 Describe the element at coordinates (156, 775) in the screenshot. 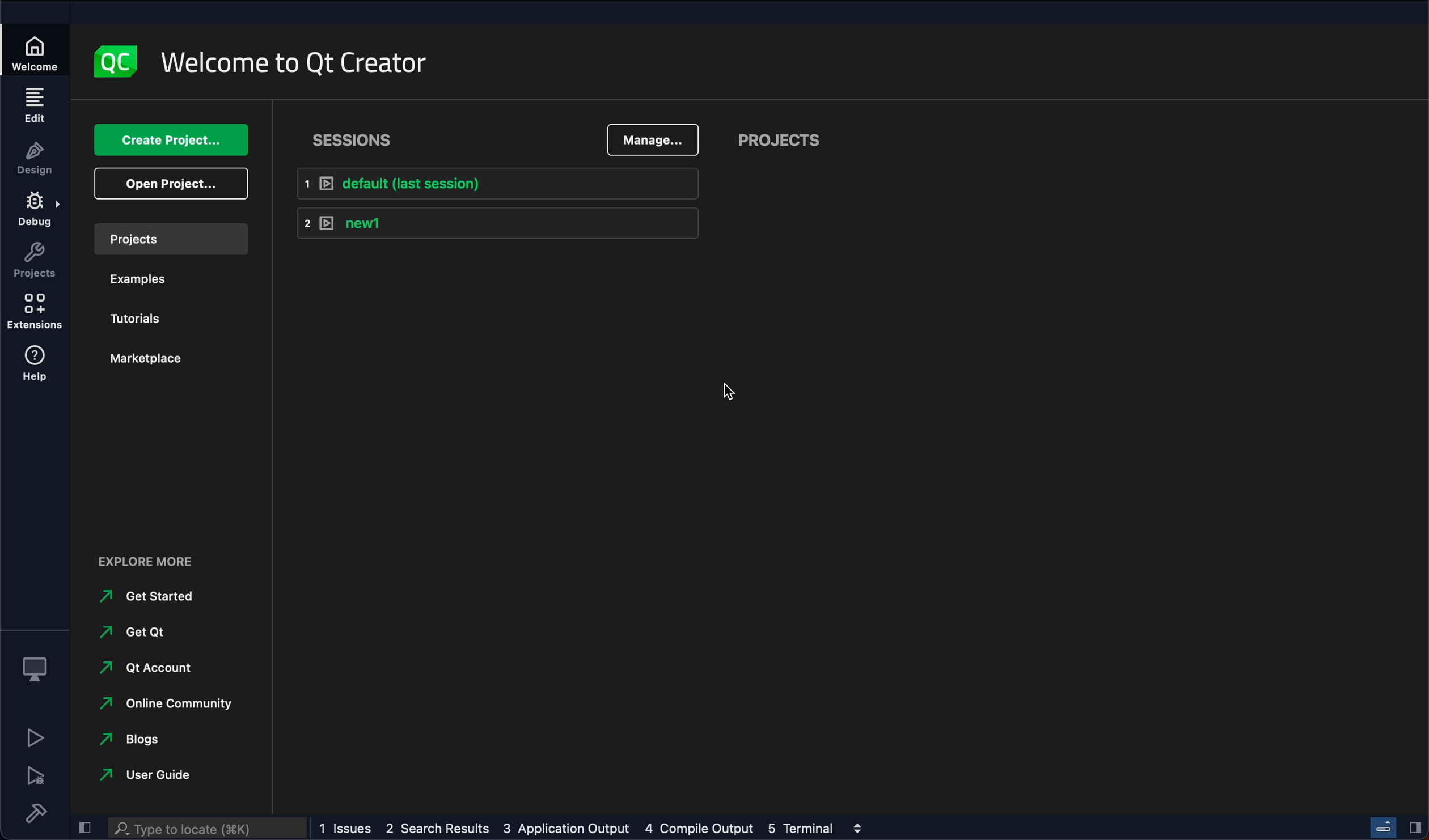

I see `guide` at that location.